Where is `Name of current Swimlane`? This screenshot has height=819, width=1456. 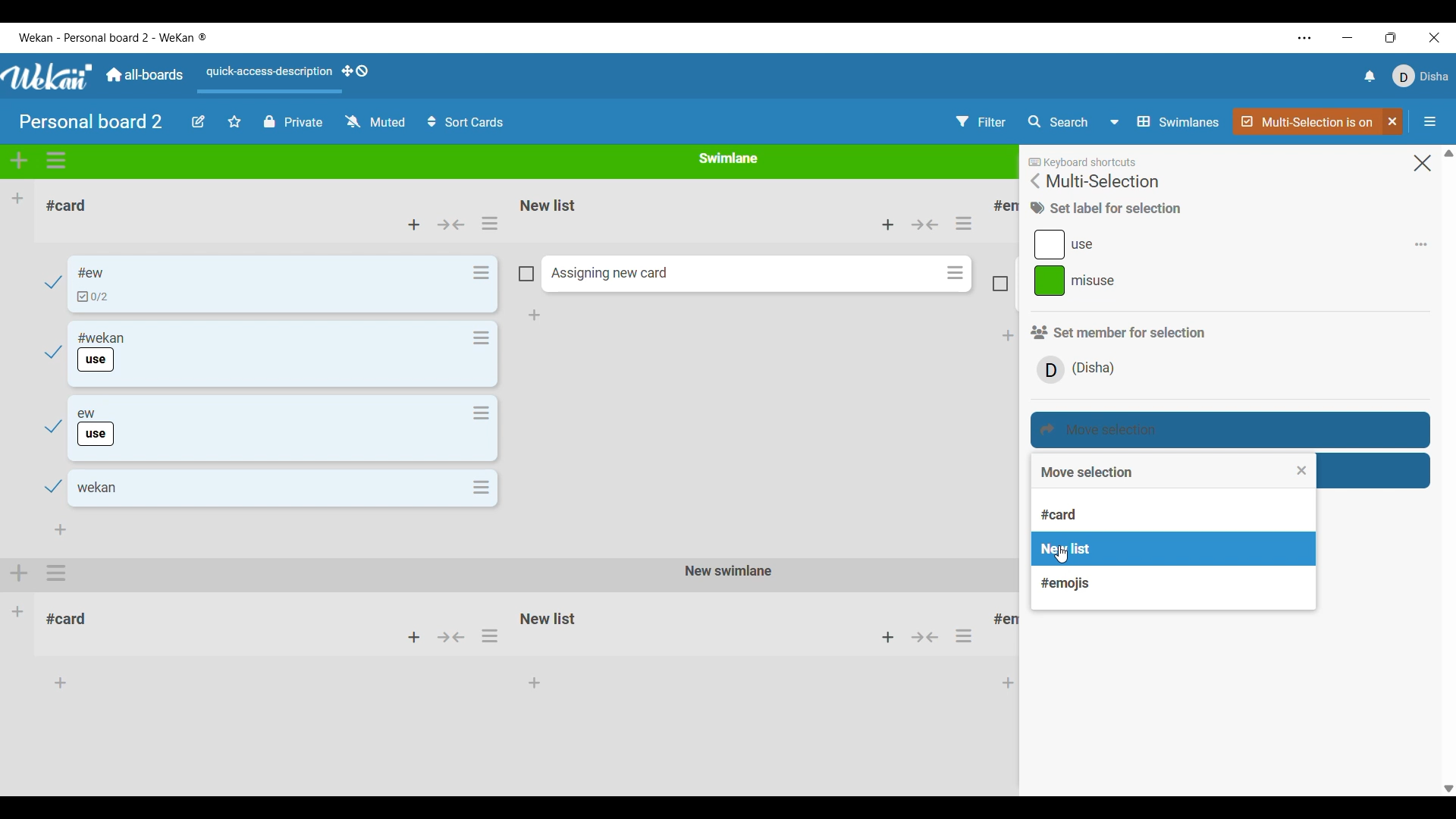 Name of current Swimlane is located at coordinates (730, 157).